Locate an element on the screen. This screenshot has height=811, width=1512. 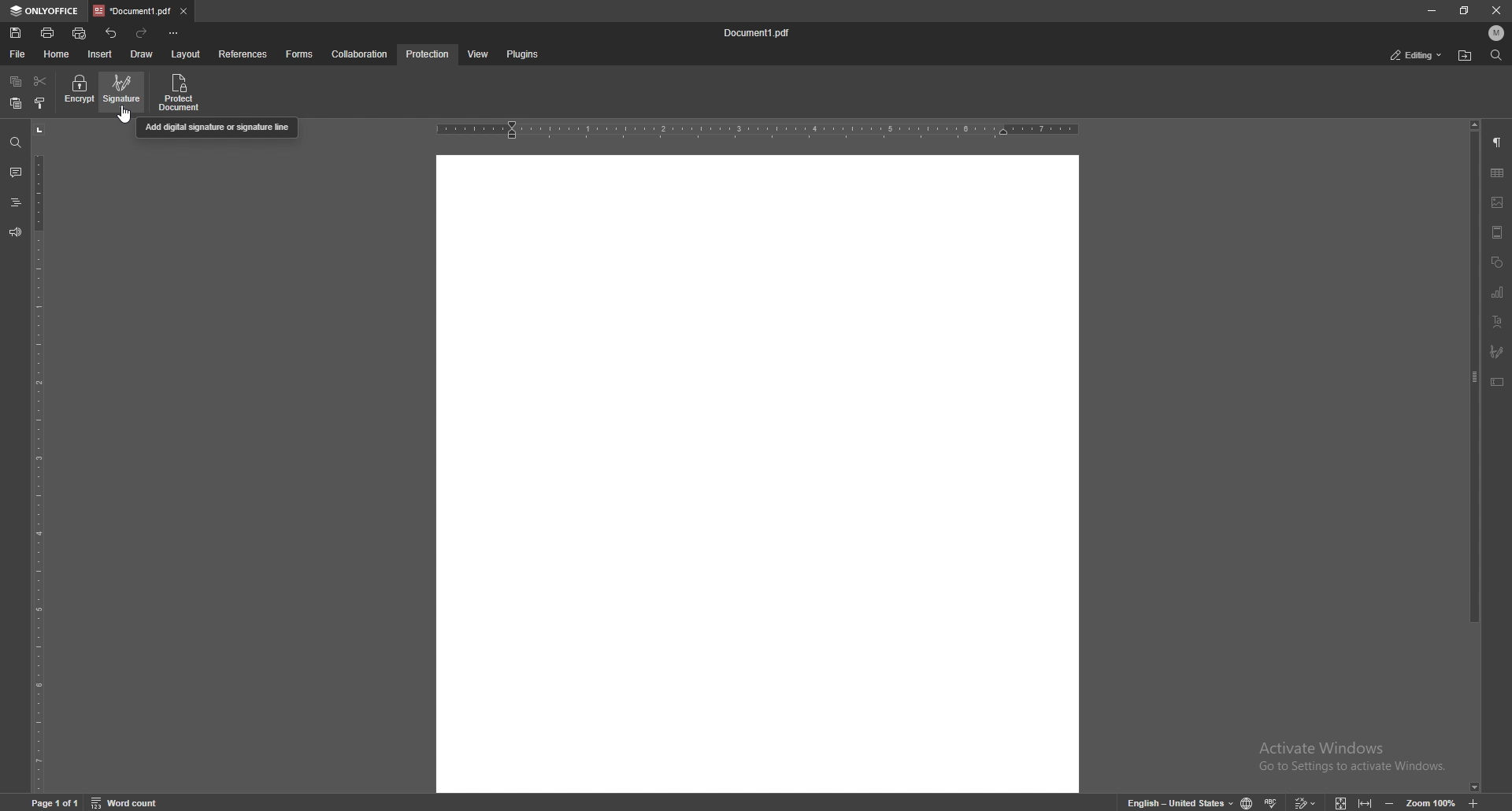
locate file is located at coordinates (1465, 57).